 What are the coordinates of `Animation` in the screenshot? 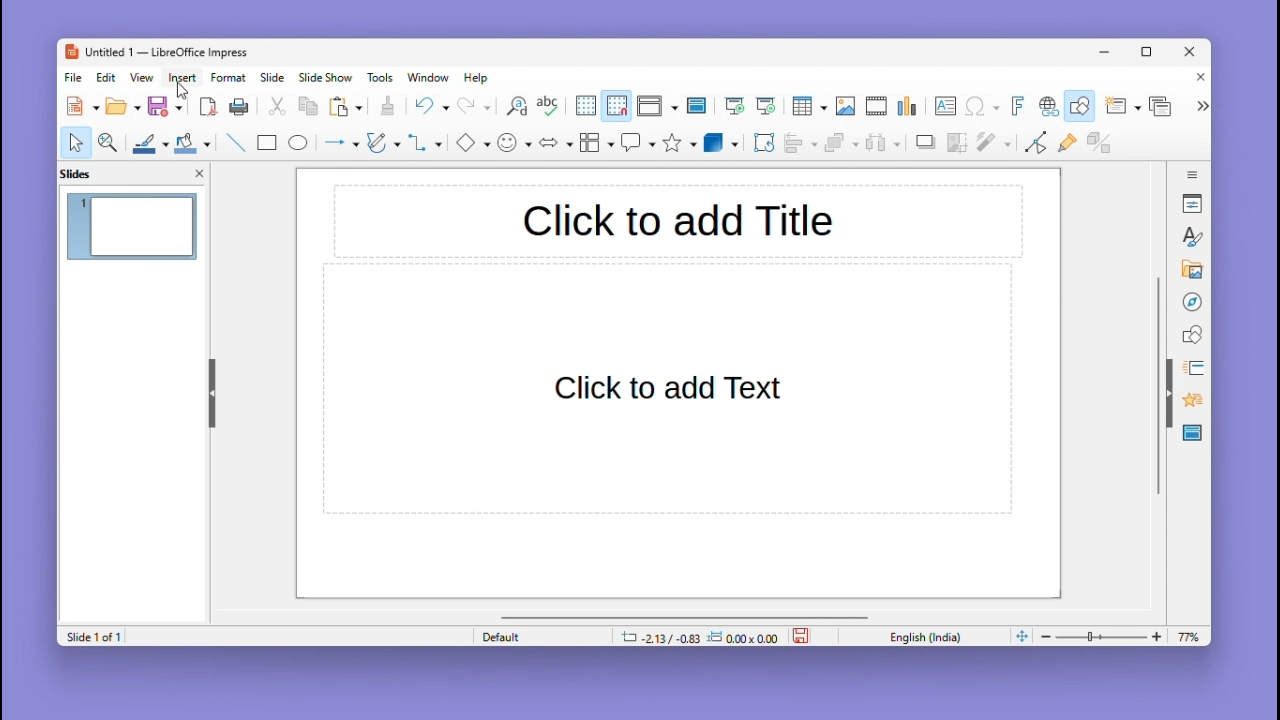 It's located at (1190, 368).